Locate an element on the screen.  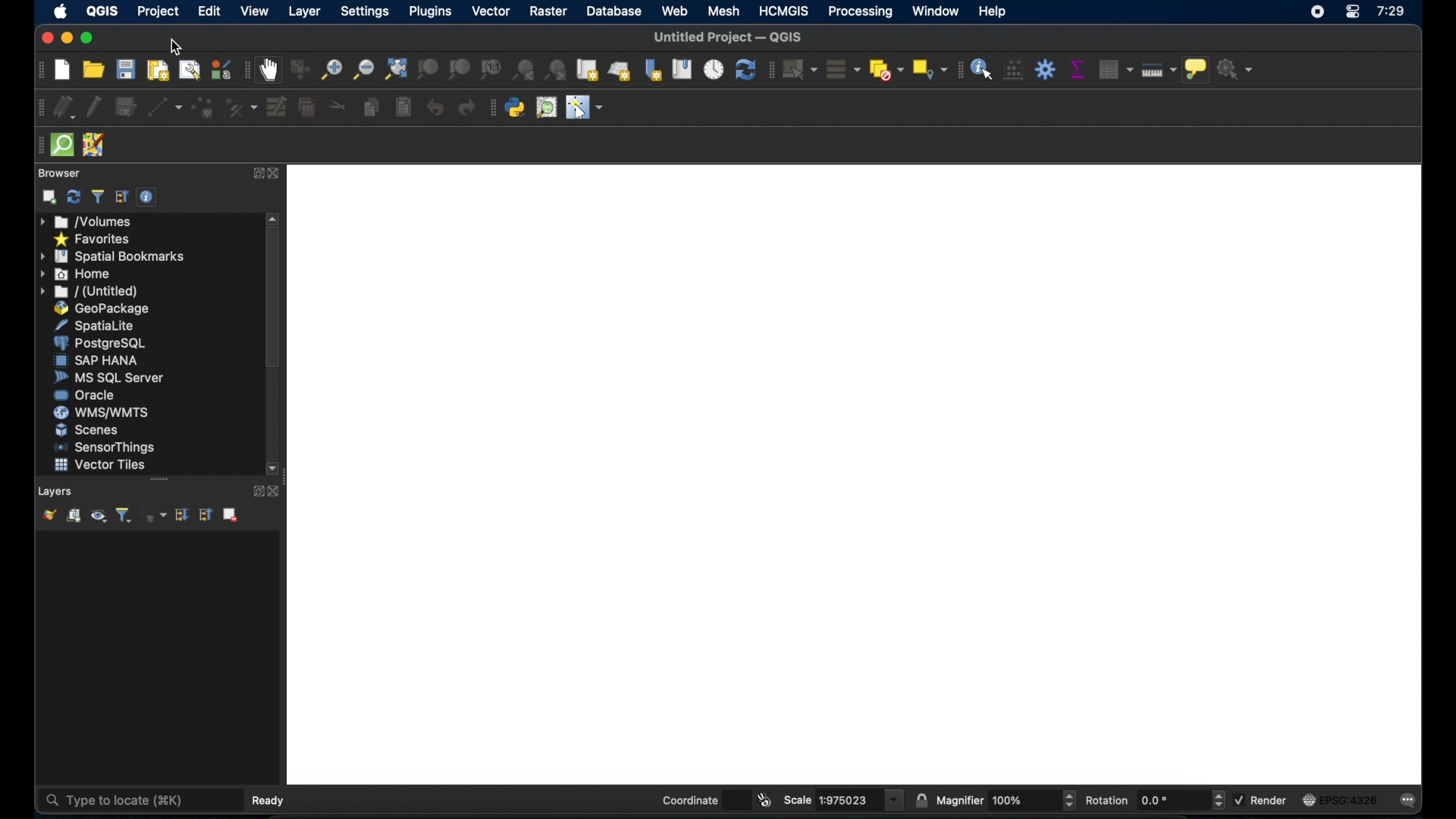
show statistical summary is located at coordinates (1080, 67).